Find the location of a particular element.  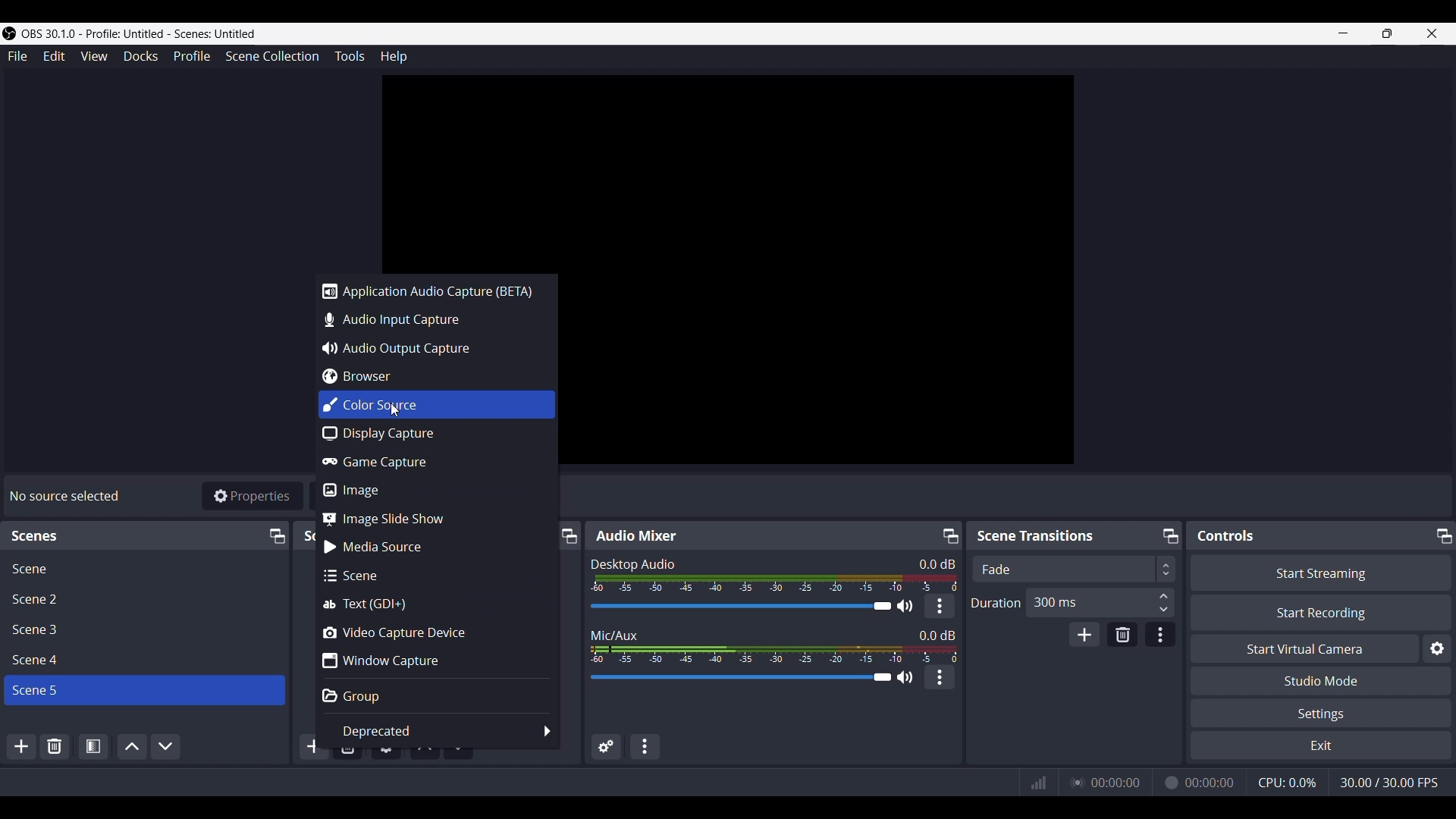

Browser is located at coordinates (436, 377).